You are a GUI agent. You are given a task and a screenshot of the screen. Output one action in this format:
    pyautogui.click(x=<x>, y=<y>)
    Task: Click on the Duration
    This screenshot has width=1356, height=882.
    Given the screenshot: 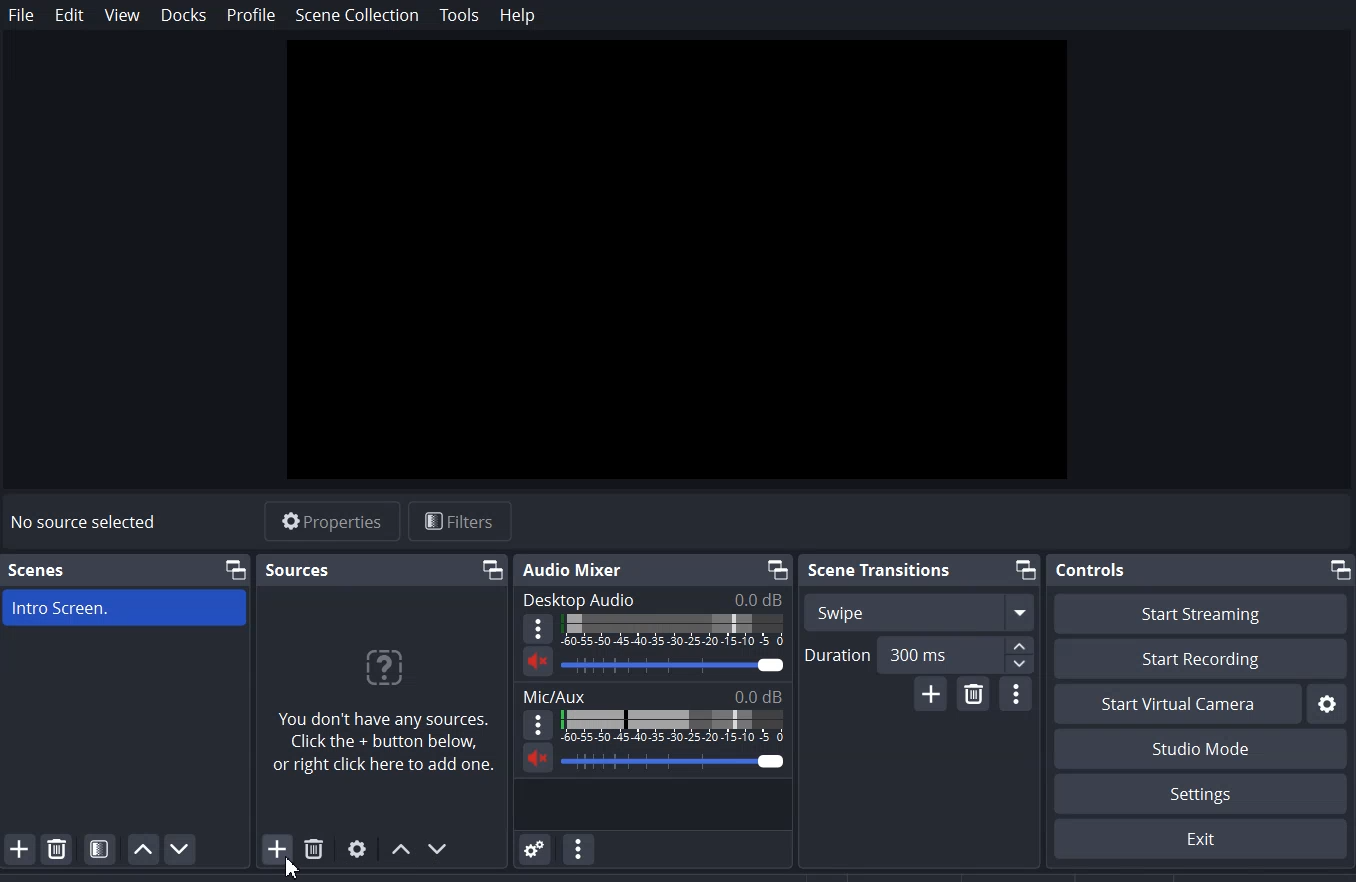 What is the action you would take?
    pyautogui.click(x=919, y=653)
    